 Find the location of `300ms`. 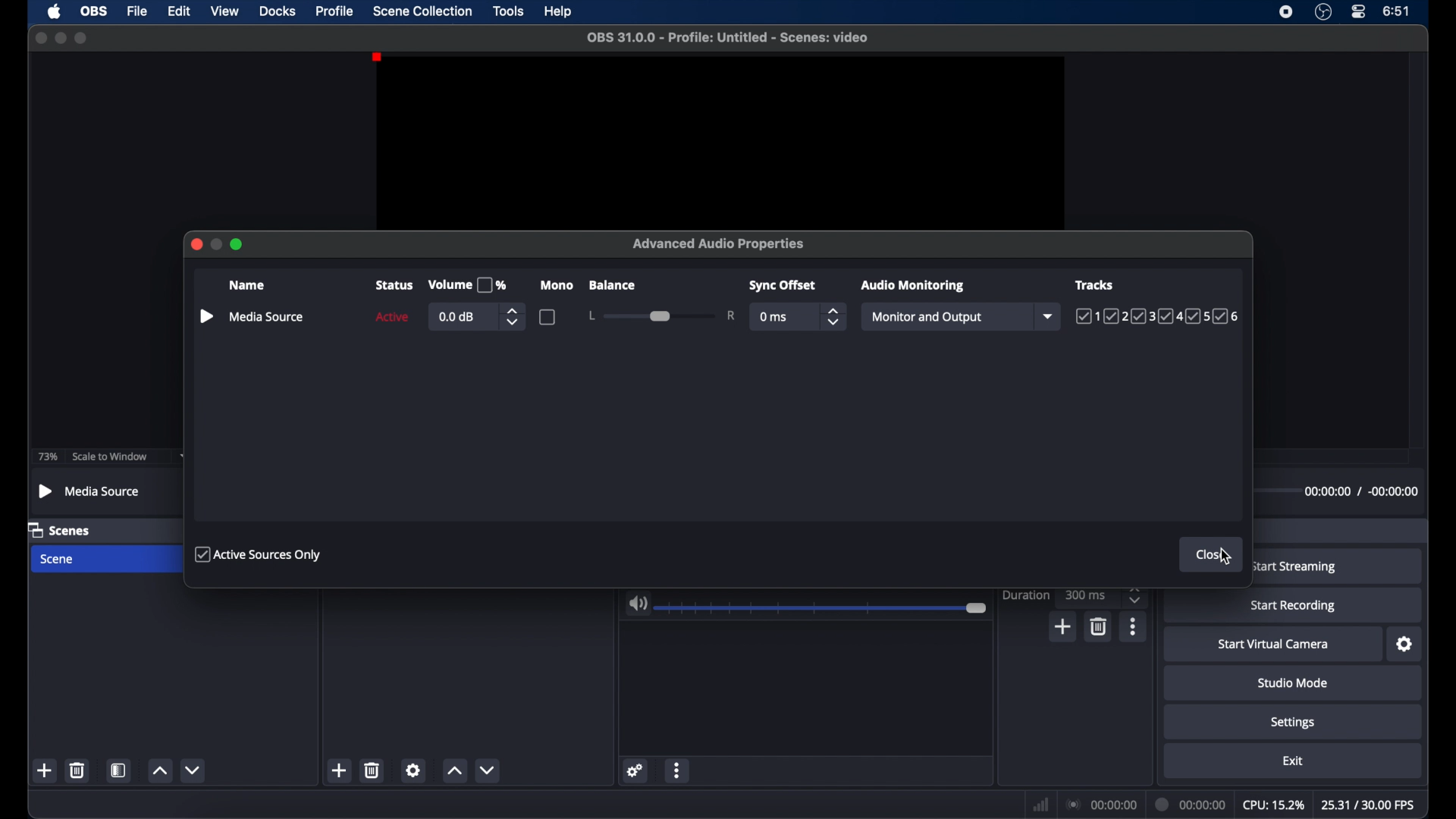

300ms is located at coordinates (1086, 595).